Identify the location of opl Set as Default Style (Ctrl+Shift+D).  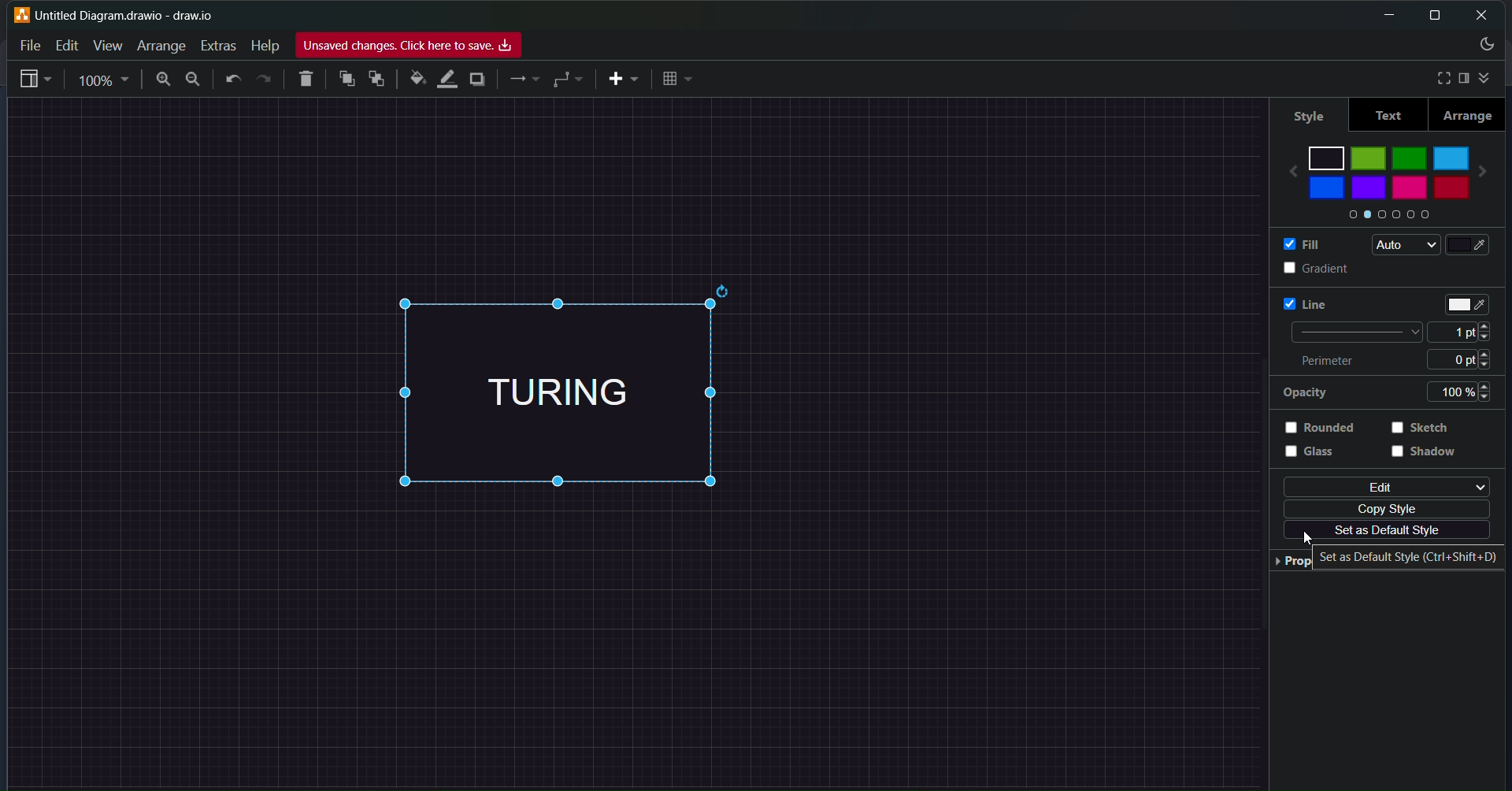
(1406, 556).